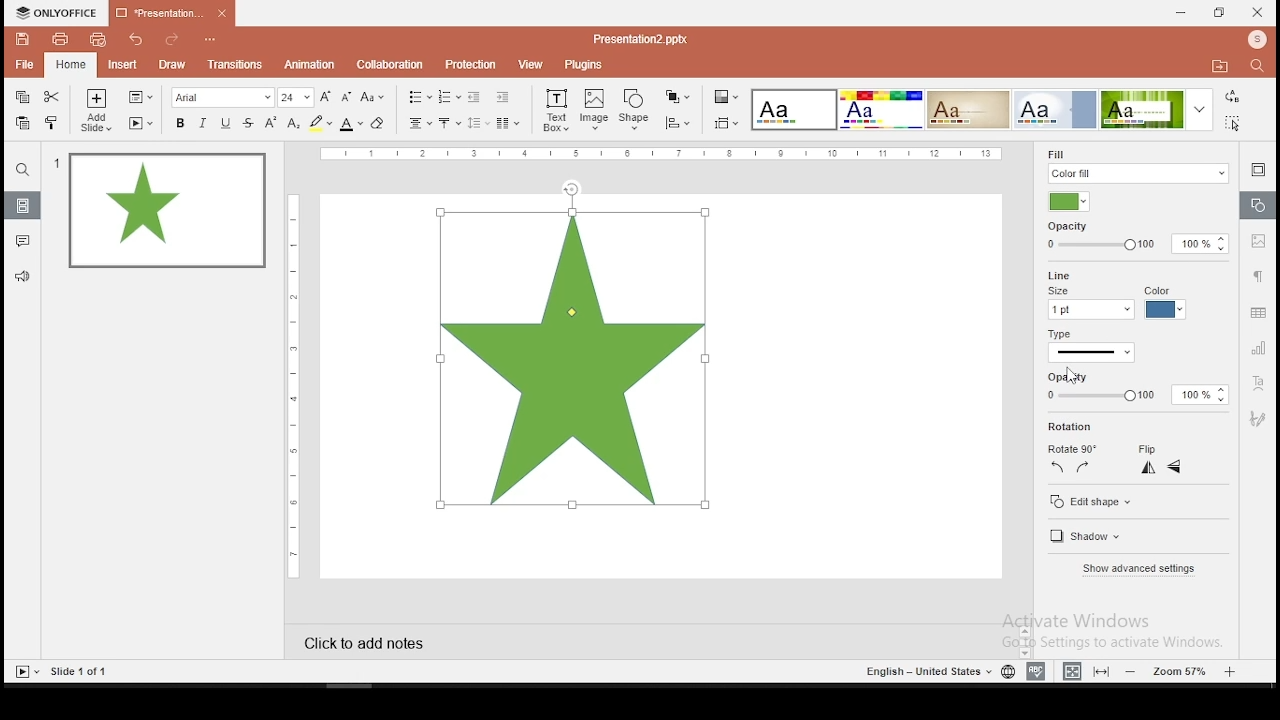 The height and width of the screenshot is (720, 1280). Describe the element at coordinates (676, 97) in the screenshot. I see `arrange shapes` at that location.